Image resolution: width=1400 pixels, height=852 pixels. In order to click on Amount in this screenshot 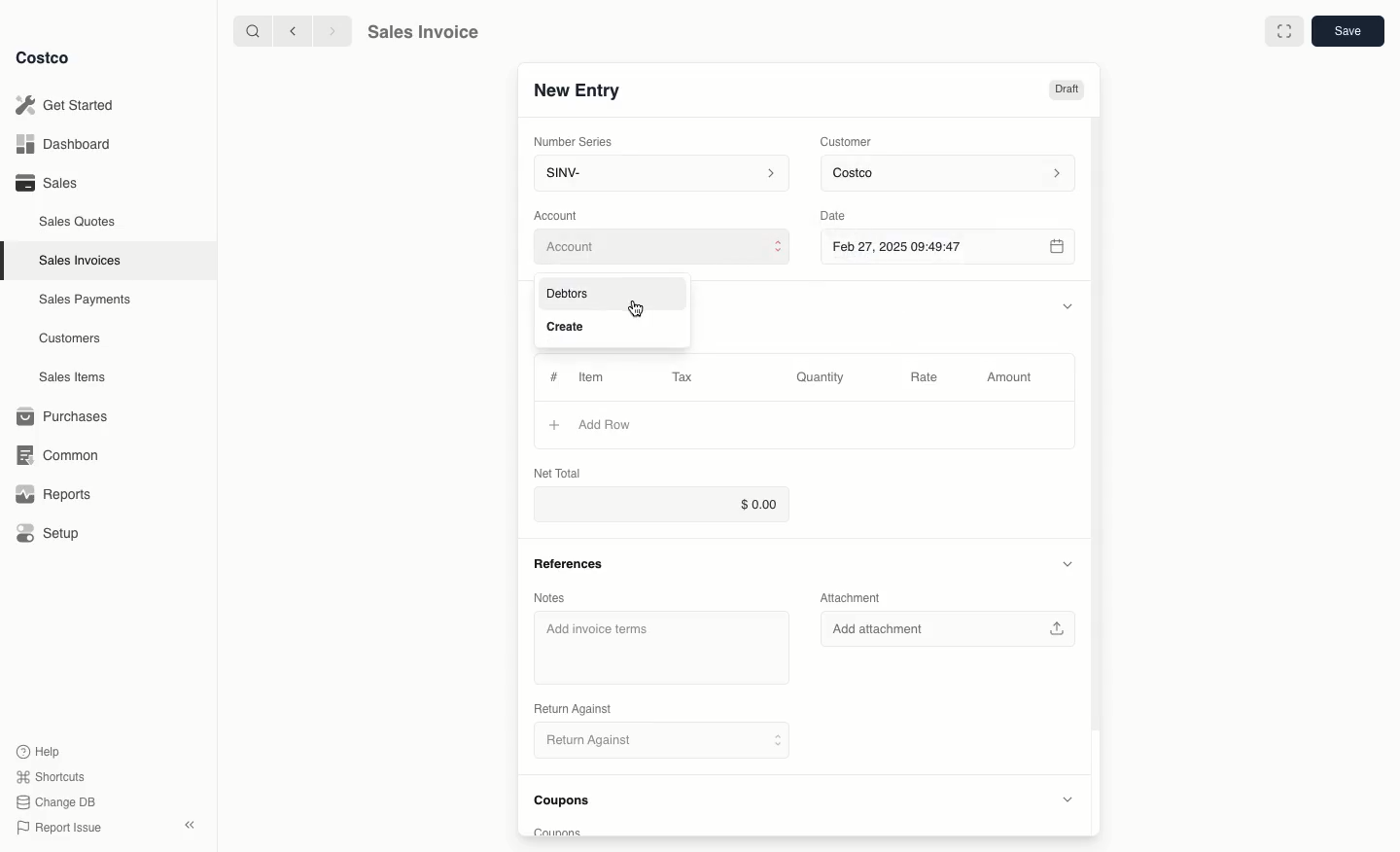, I will do `click(1007, 378)`.